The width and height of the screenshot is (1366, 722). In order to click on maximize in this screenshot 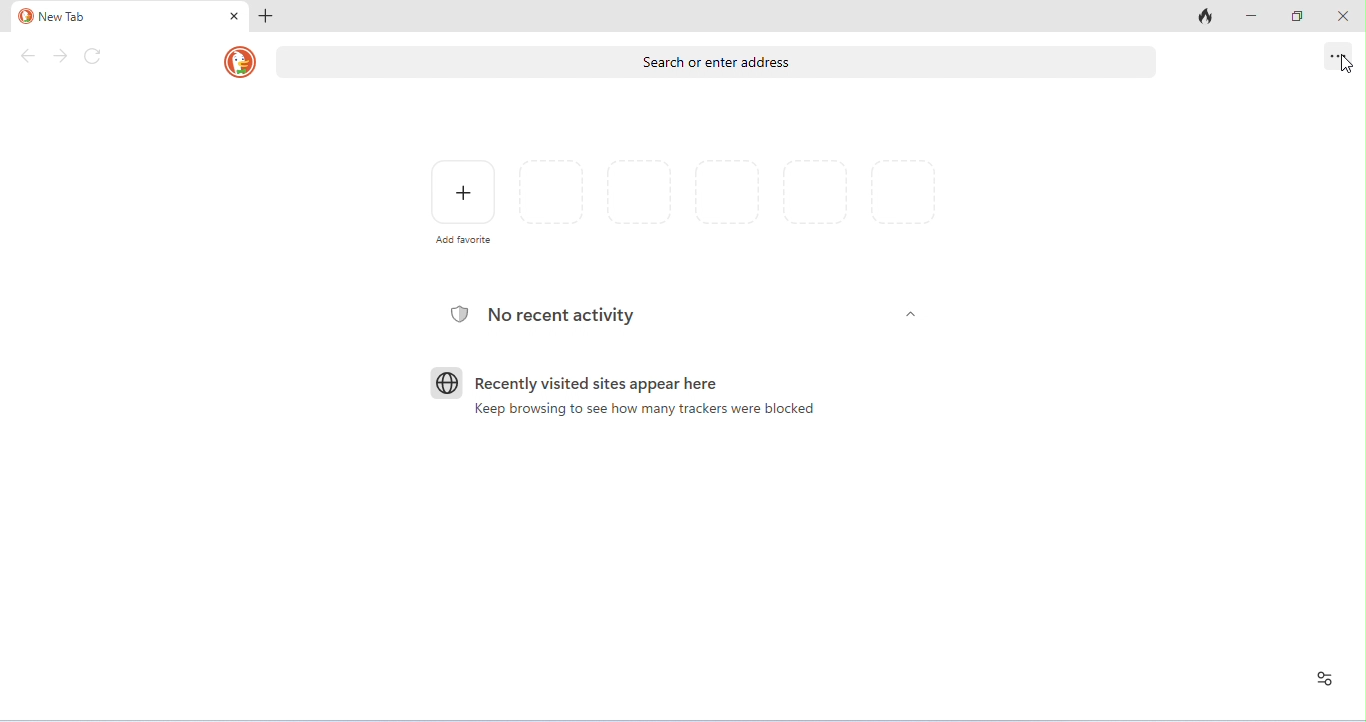, I will do `click(1297, 16)`.